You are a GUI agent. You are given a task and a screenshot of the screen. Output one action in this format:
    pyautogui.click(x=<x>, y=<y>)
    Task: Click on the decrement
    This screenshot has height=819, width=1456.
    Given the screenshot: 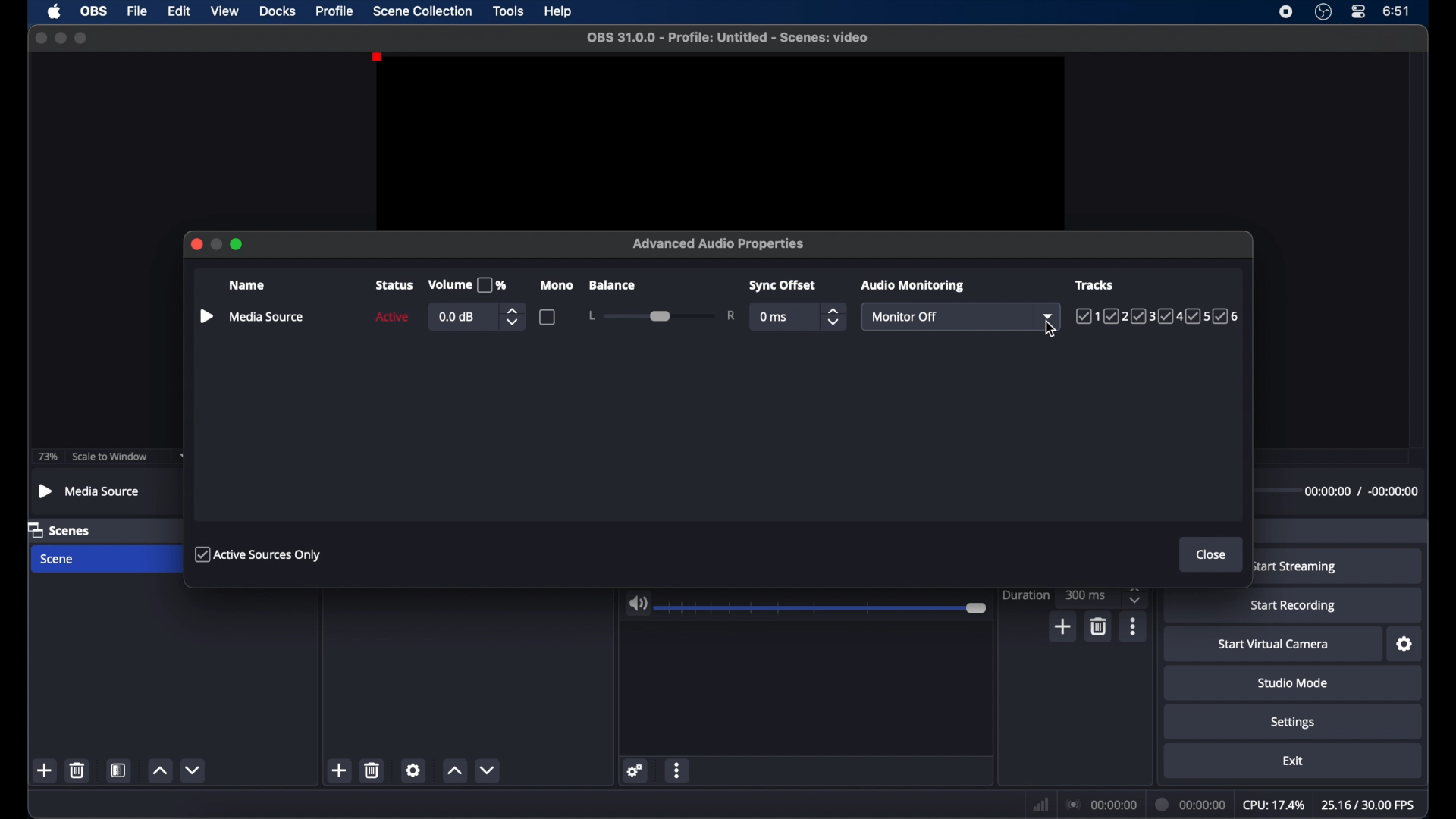 What is the action you would take?
    pyautogui.click(x=490, y=770)
    